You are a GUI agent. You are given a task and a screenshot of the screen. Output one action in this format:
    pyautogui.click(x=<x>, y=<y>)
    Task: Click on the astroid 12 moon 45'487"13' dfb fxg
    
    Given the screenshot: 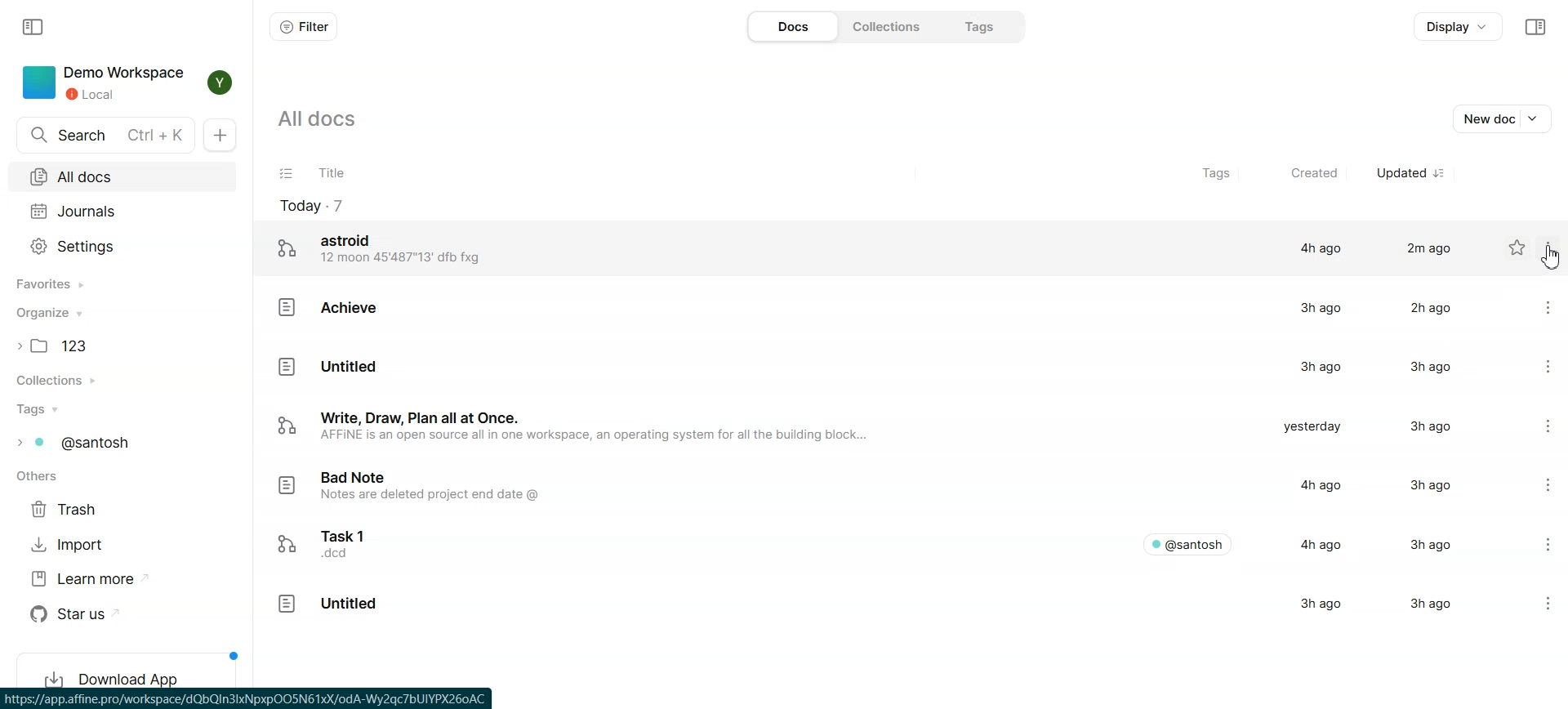 What is the action you would take?
    pyautogui.click(x=384, y=251)
    